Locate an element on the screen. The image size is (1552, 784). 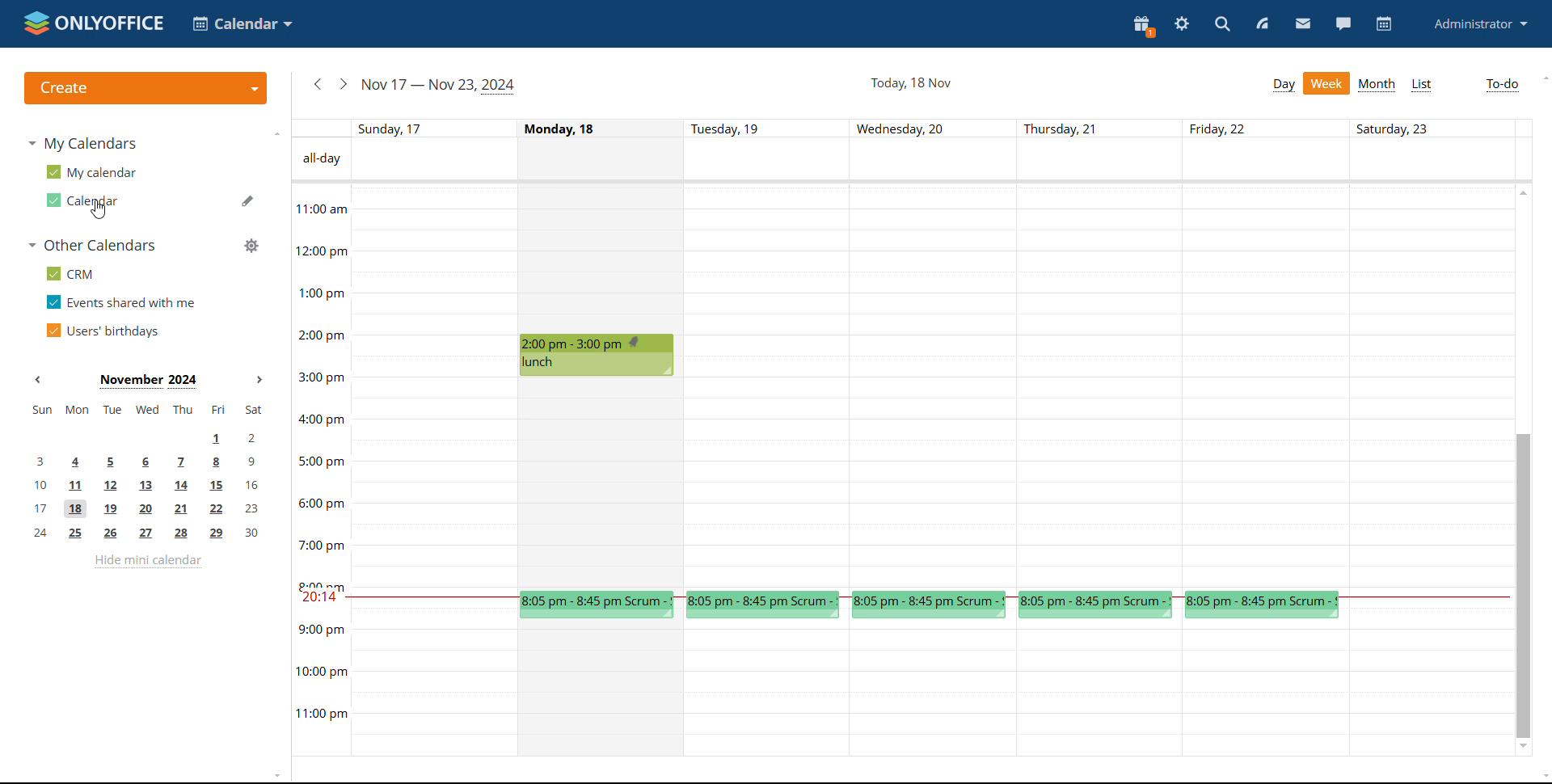
day view is located at coordinates (1284, 85).